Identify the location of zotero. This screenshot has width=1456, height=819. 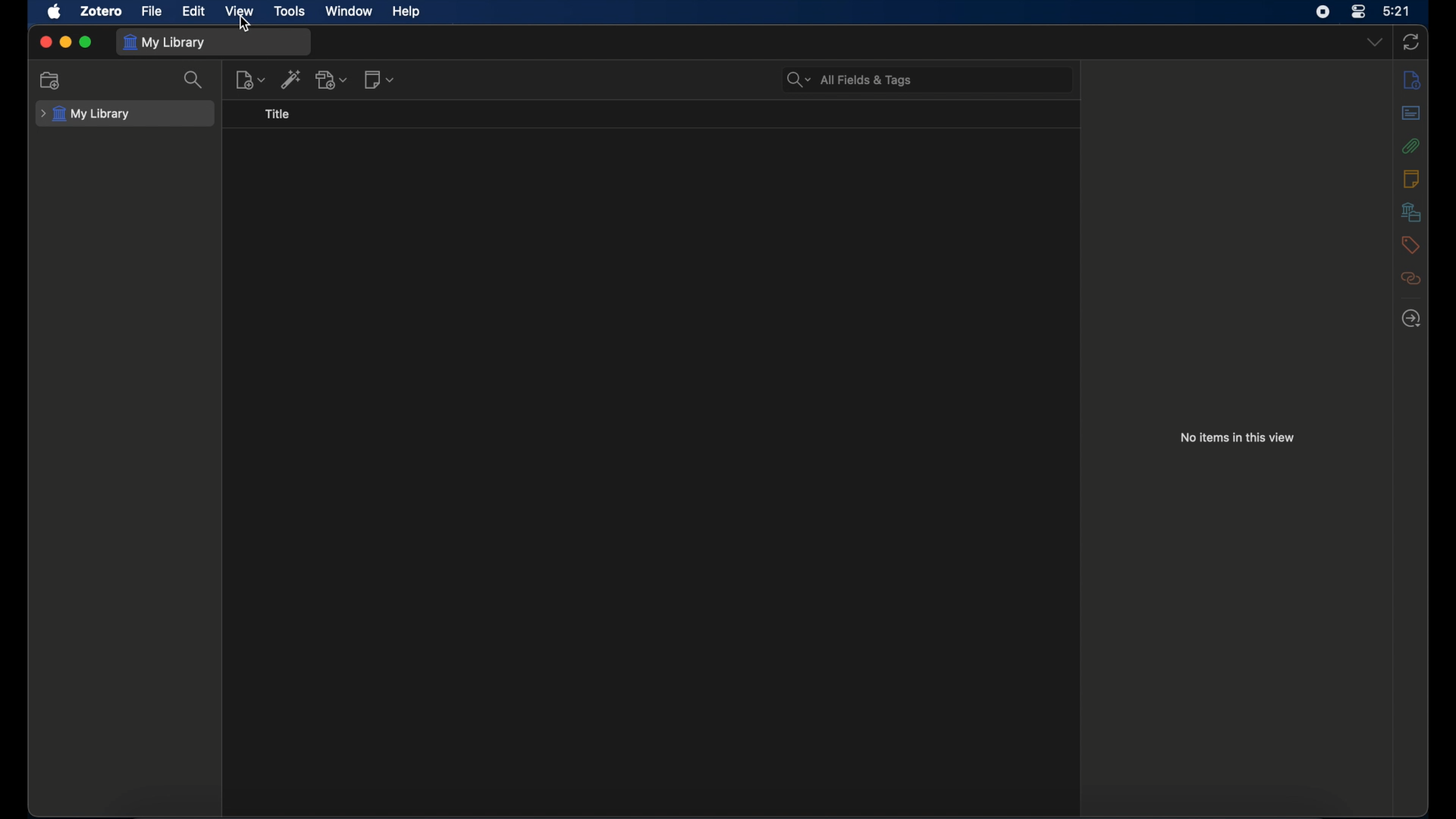
(102, 12).